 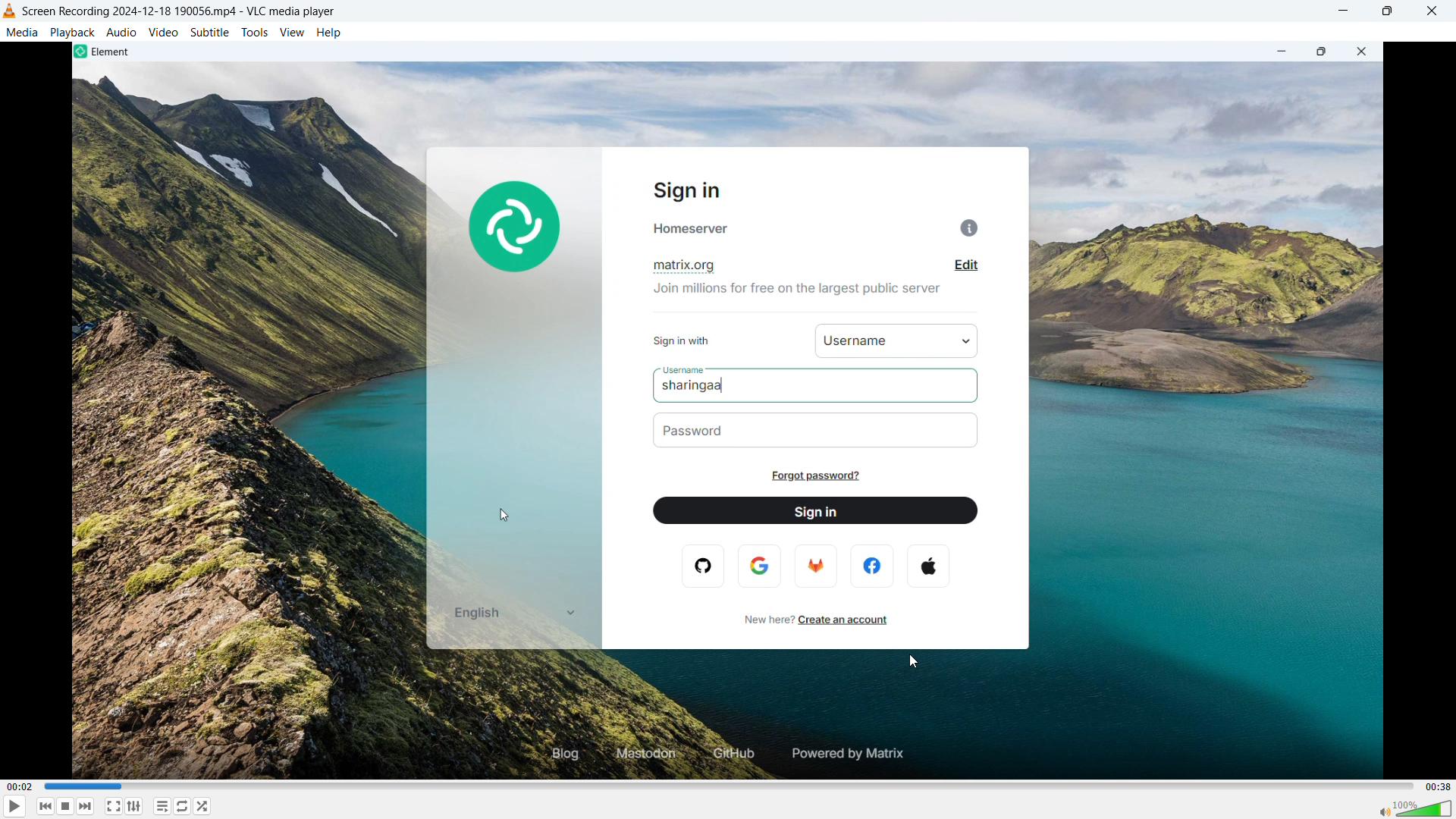 What do you see at coordinates (73, 32) in the screenshot?
I see `Playback ` at bounding box center [73, 32].